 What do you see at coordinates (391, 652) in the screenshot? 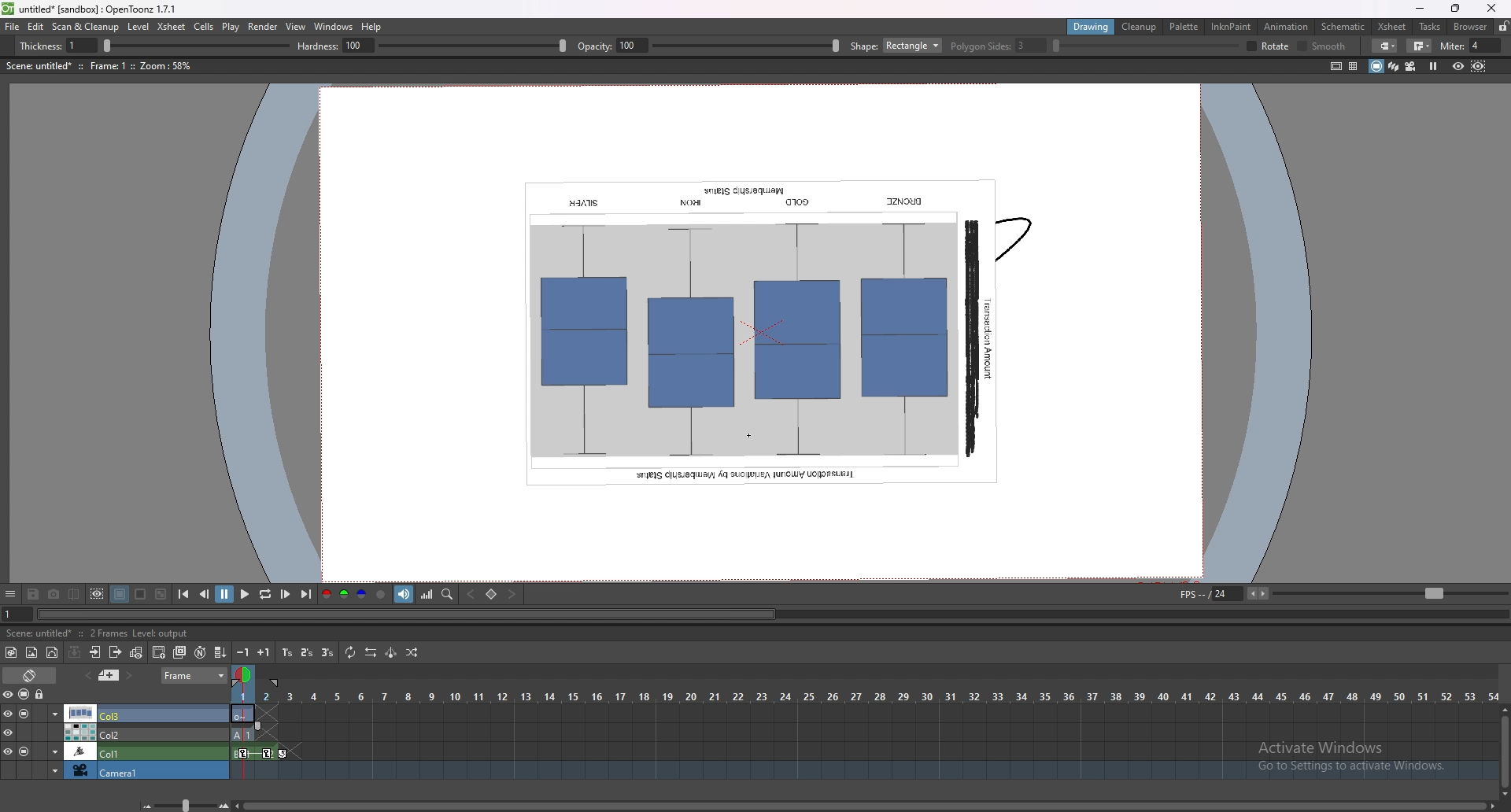
I see `swing` at bounding box center [391, 652].